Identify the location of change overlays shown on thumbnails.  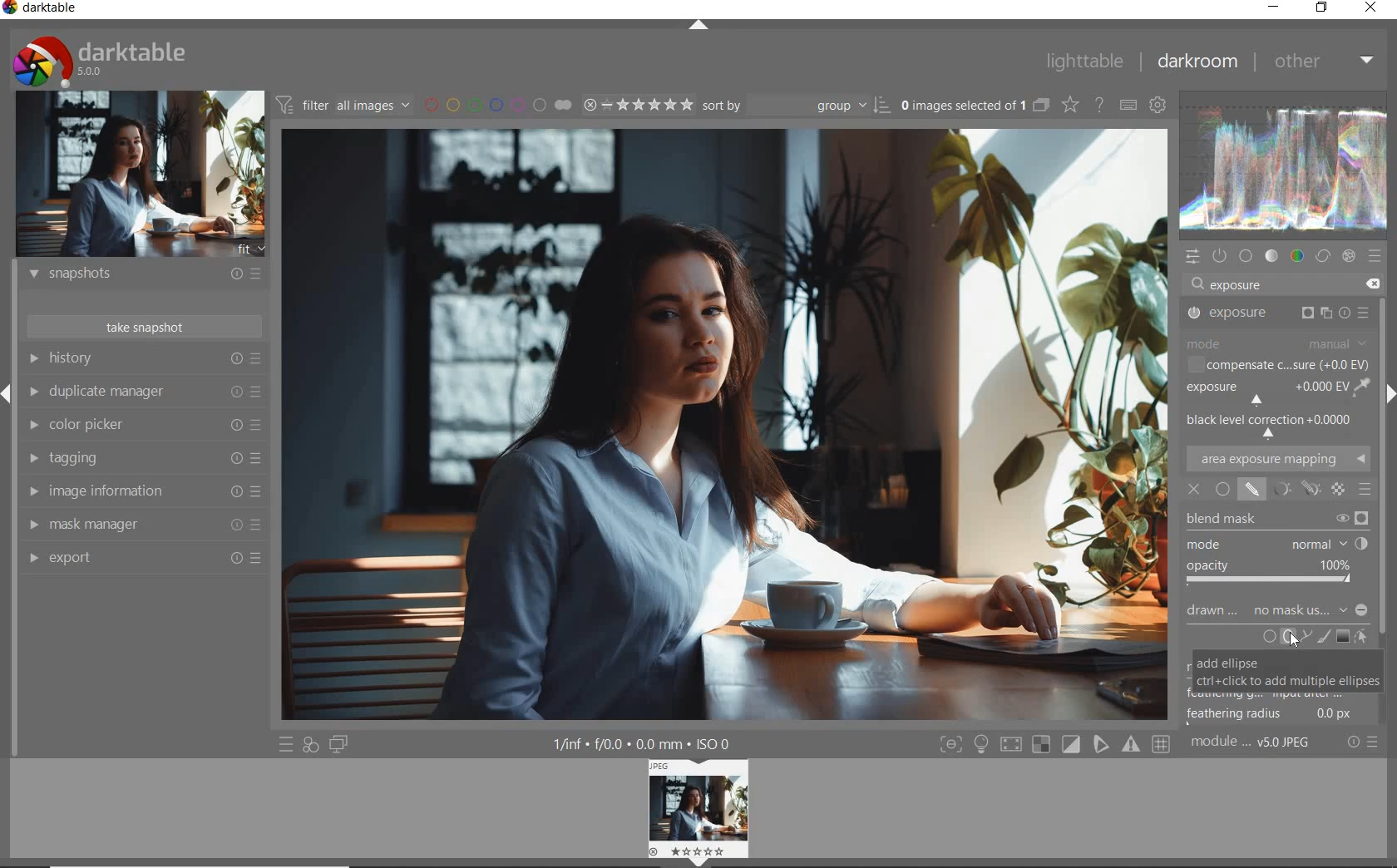
(1069, 104).